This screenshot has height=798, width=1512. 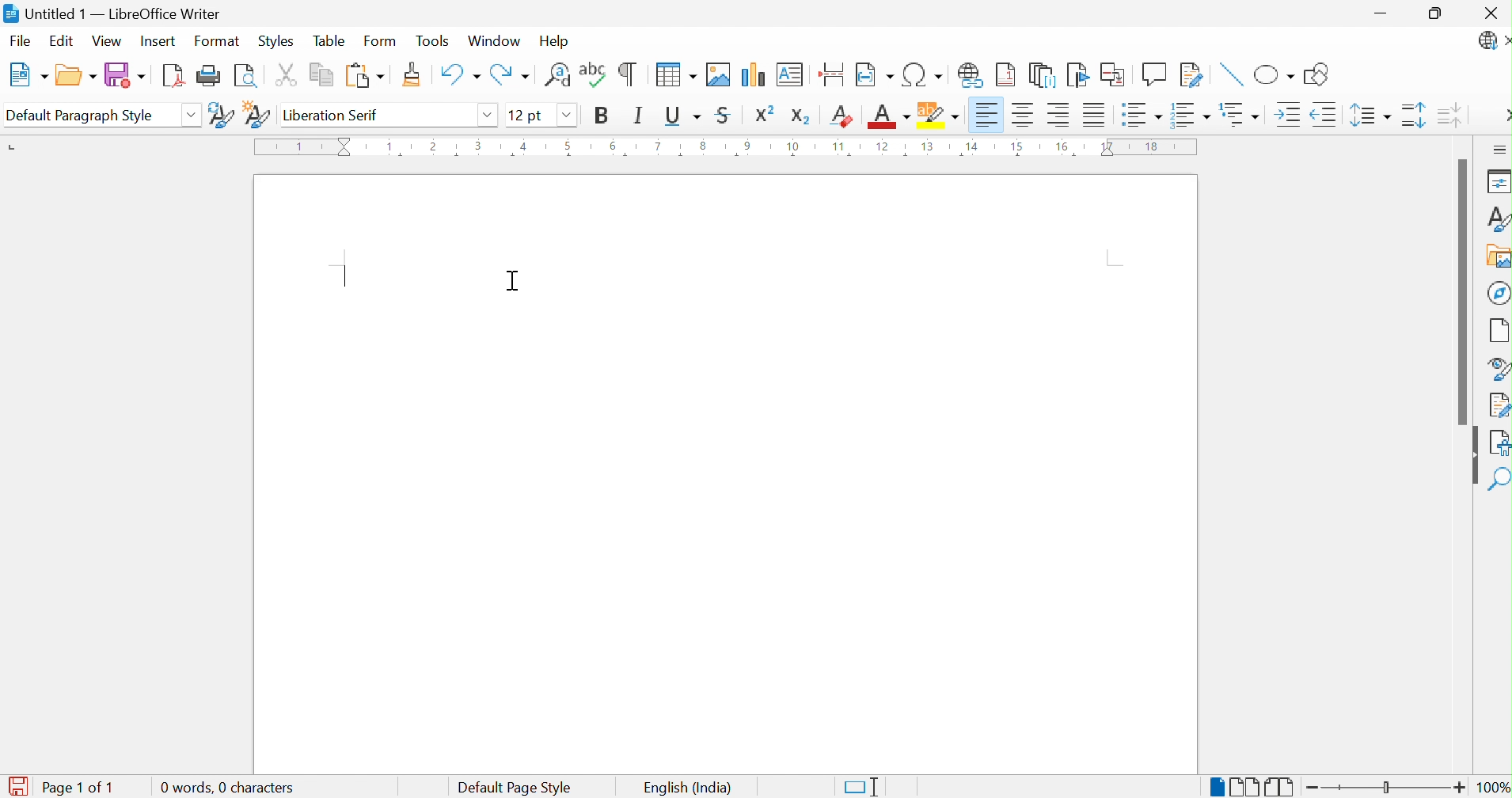 What do you see at coordinates (208, 75) in the screenshot?
I see `Print` at bounding box center [208, 75].